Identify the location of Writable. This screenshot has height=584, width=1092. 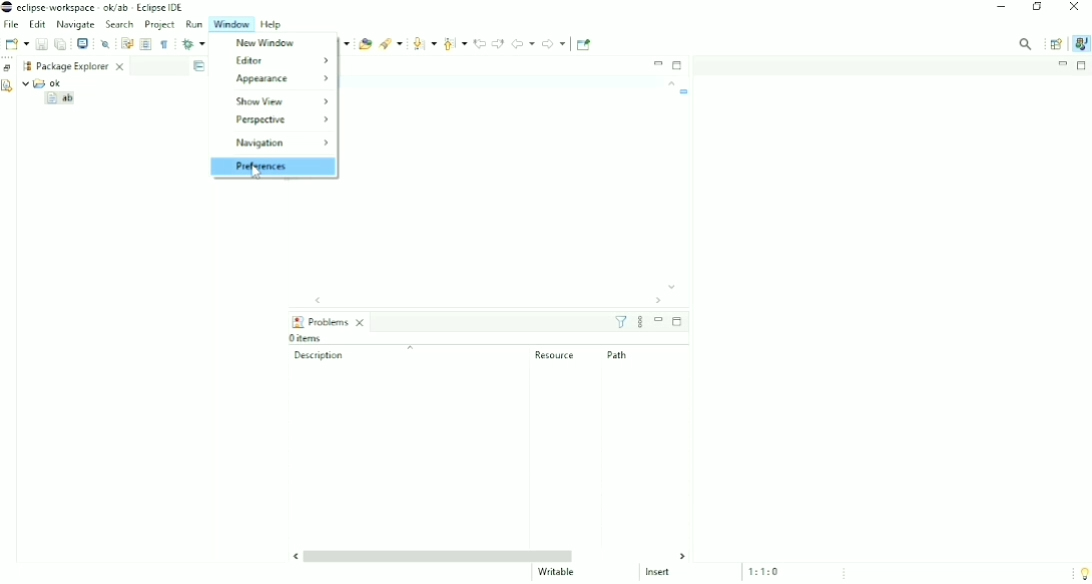
(558, 573).